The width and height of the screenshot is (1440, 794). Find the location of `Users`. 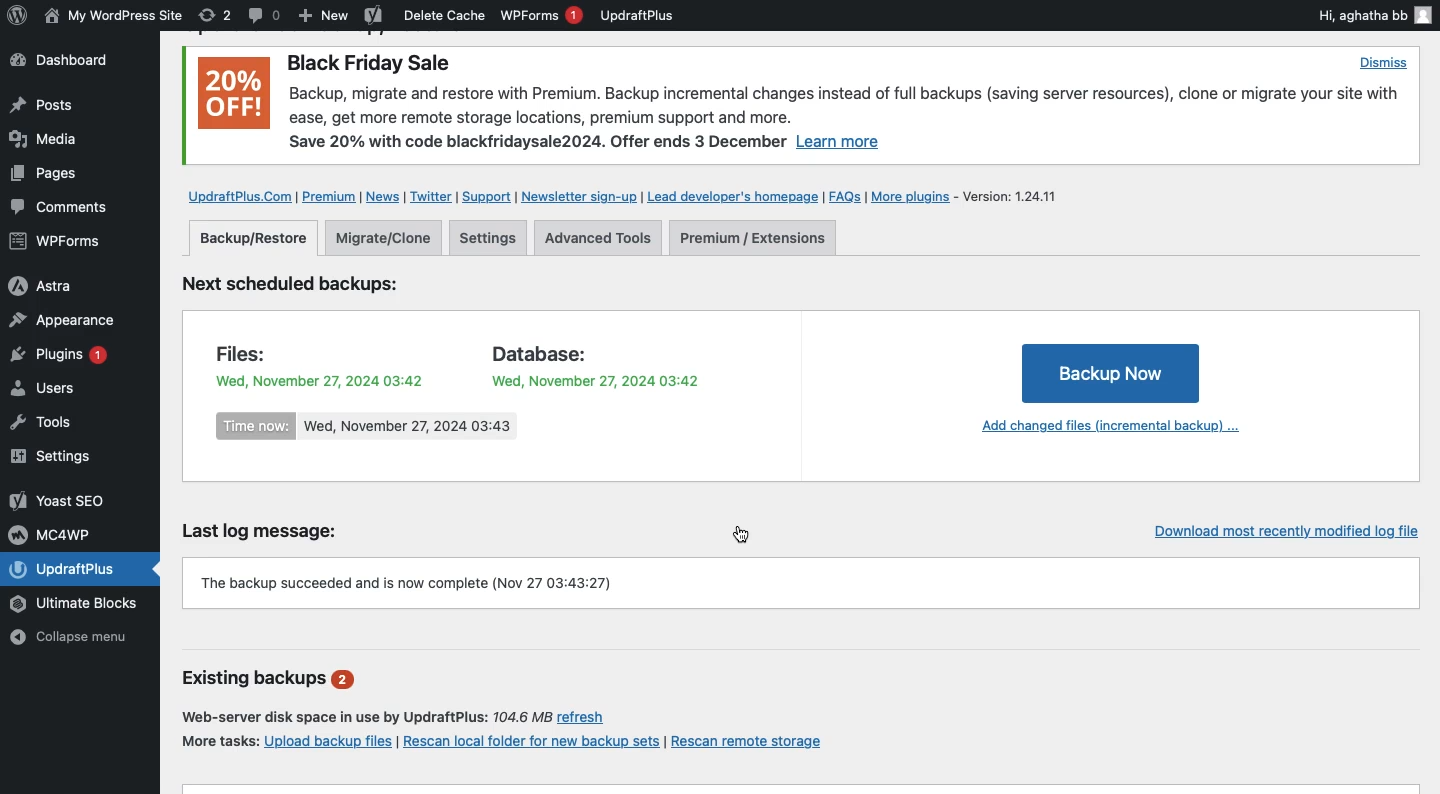

Users is located at coordinates (63, 391).